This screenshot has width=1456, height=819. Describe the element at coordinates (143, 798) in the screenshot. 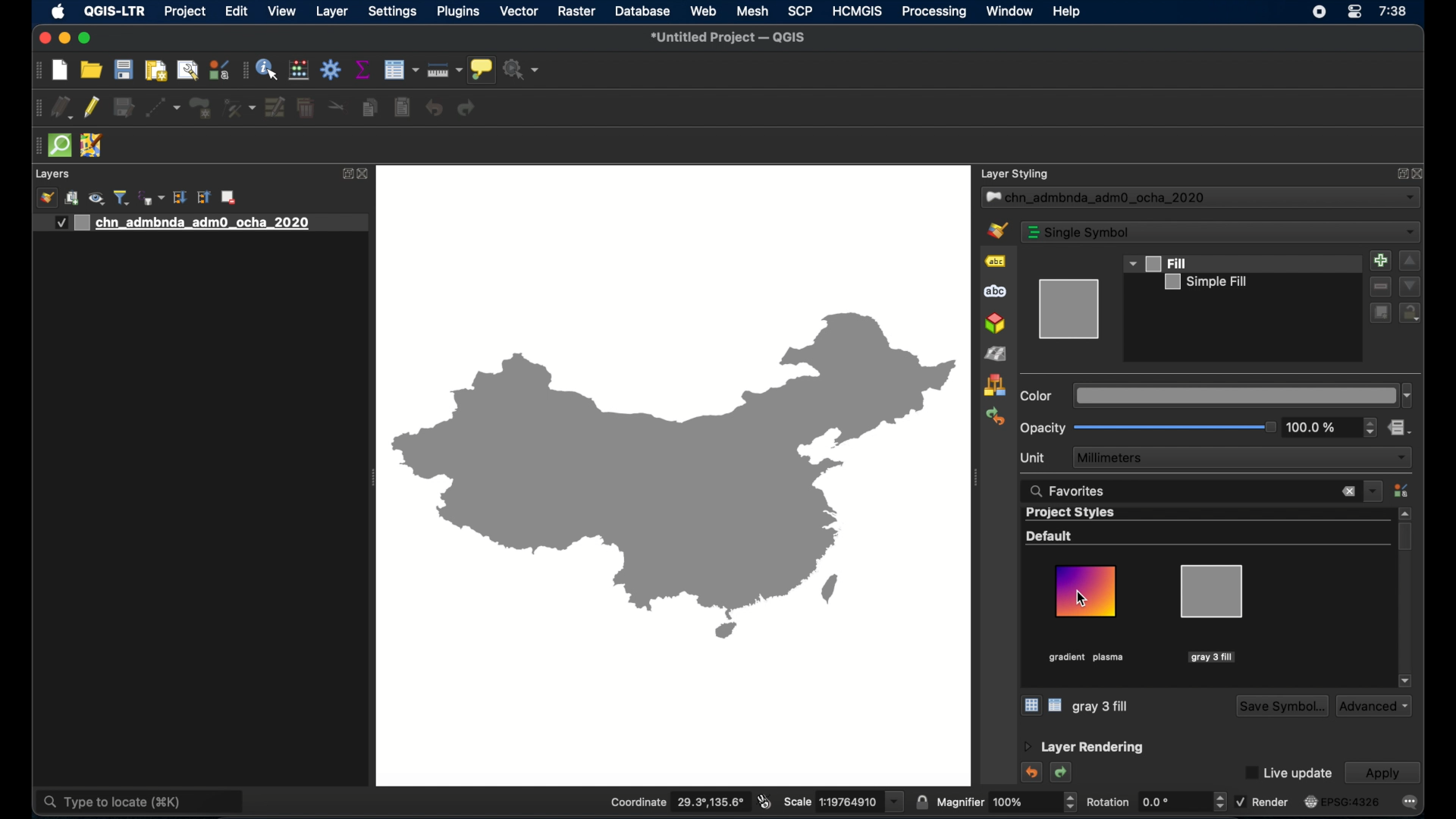

I see `Q Type to locate (3K)` at that location.